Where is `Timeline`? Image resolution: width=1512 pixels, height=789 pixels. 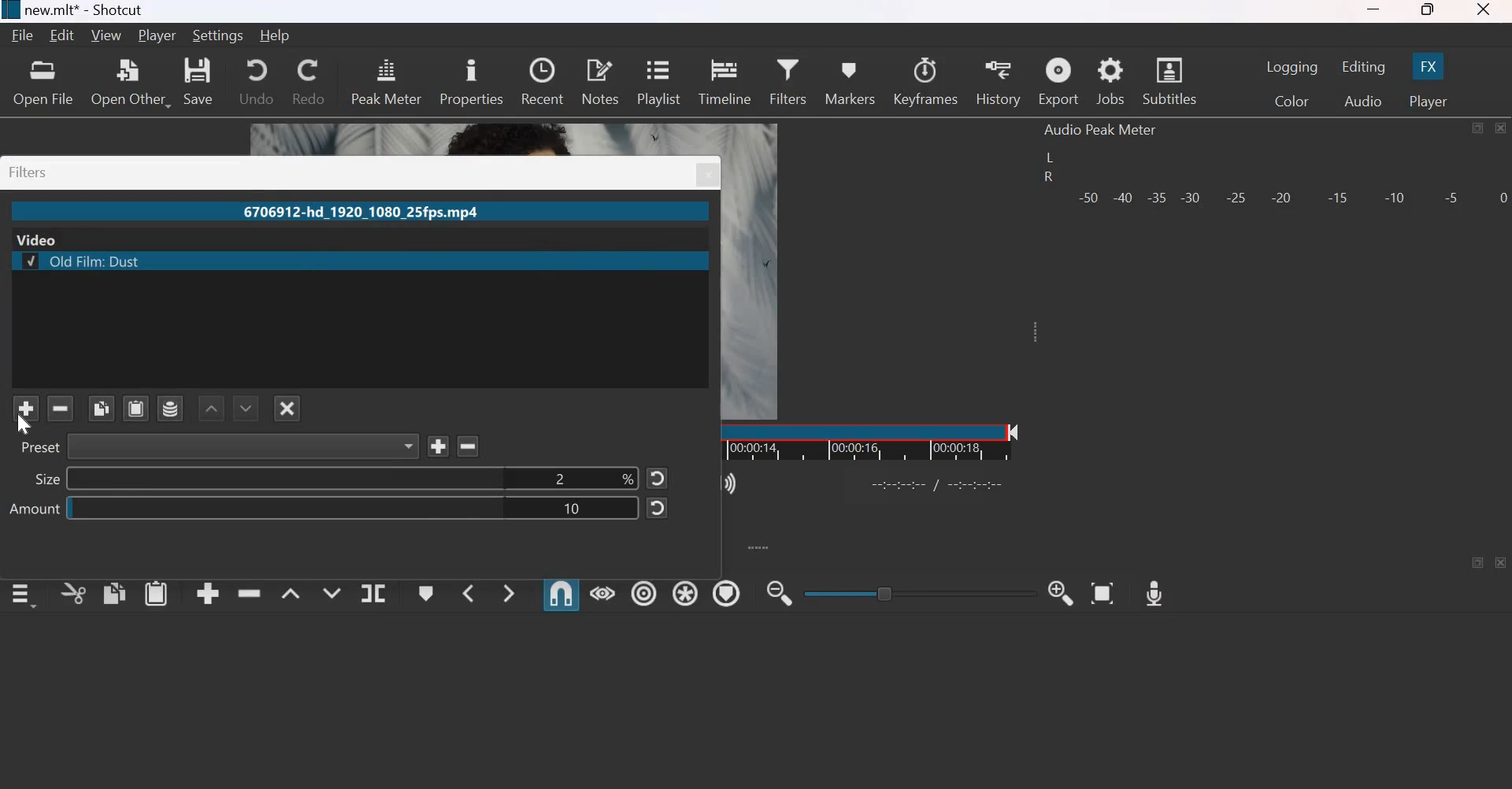
Timeline is located at coordinates (724, 80).